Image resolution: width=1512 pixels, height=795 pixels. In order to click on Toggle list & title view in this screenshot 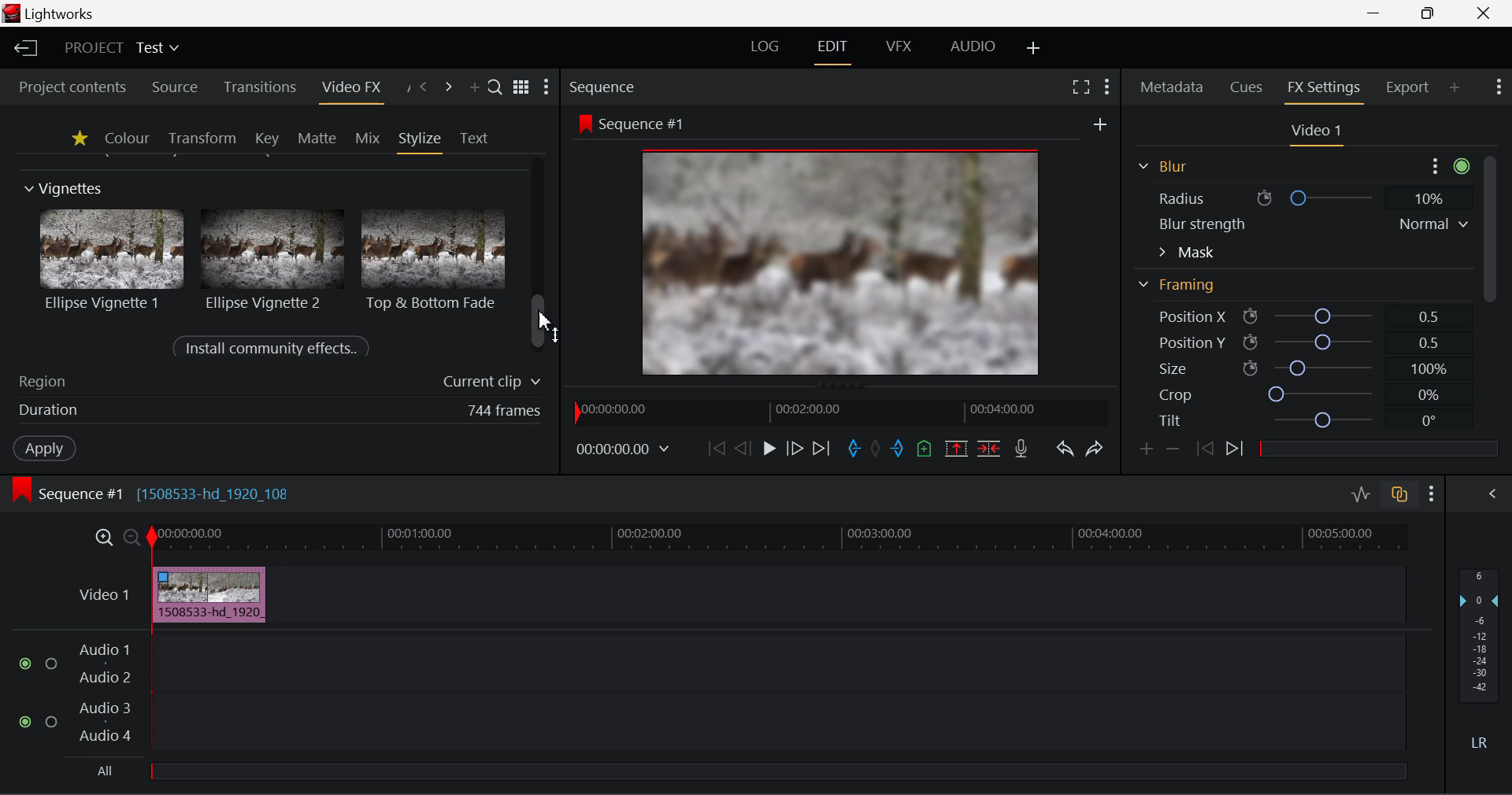, I will do `click(521, 89)`.